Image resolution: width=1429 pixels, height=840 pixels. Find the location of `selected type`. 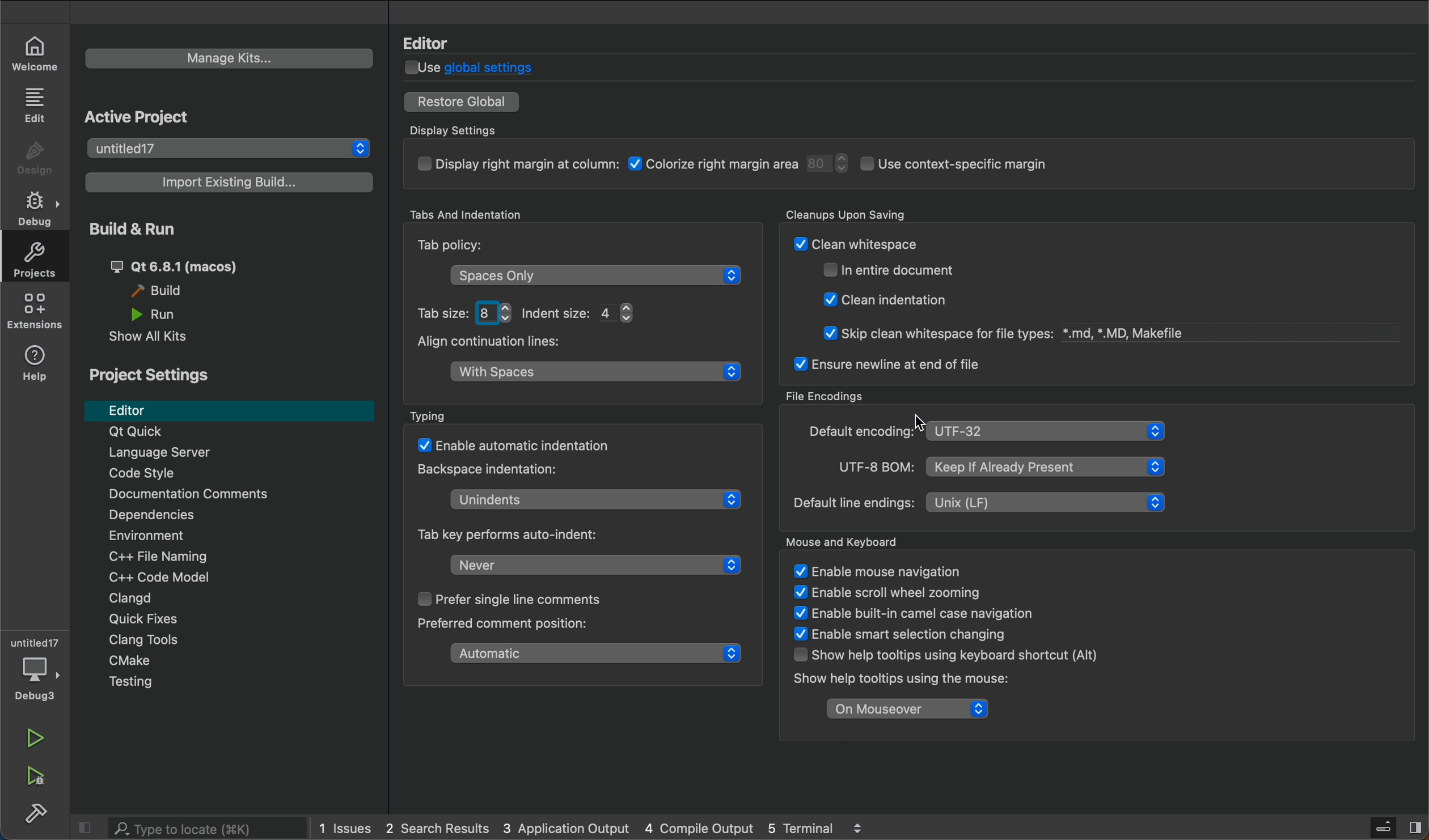

selected type is located at coordinates (1050, 431).